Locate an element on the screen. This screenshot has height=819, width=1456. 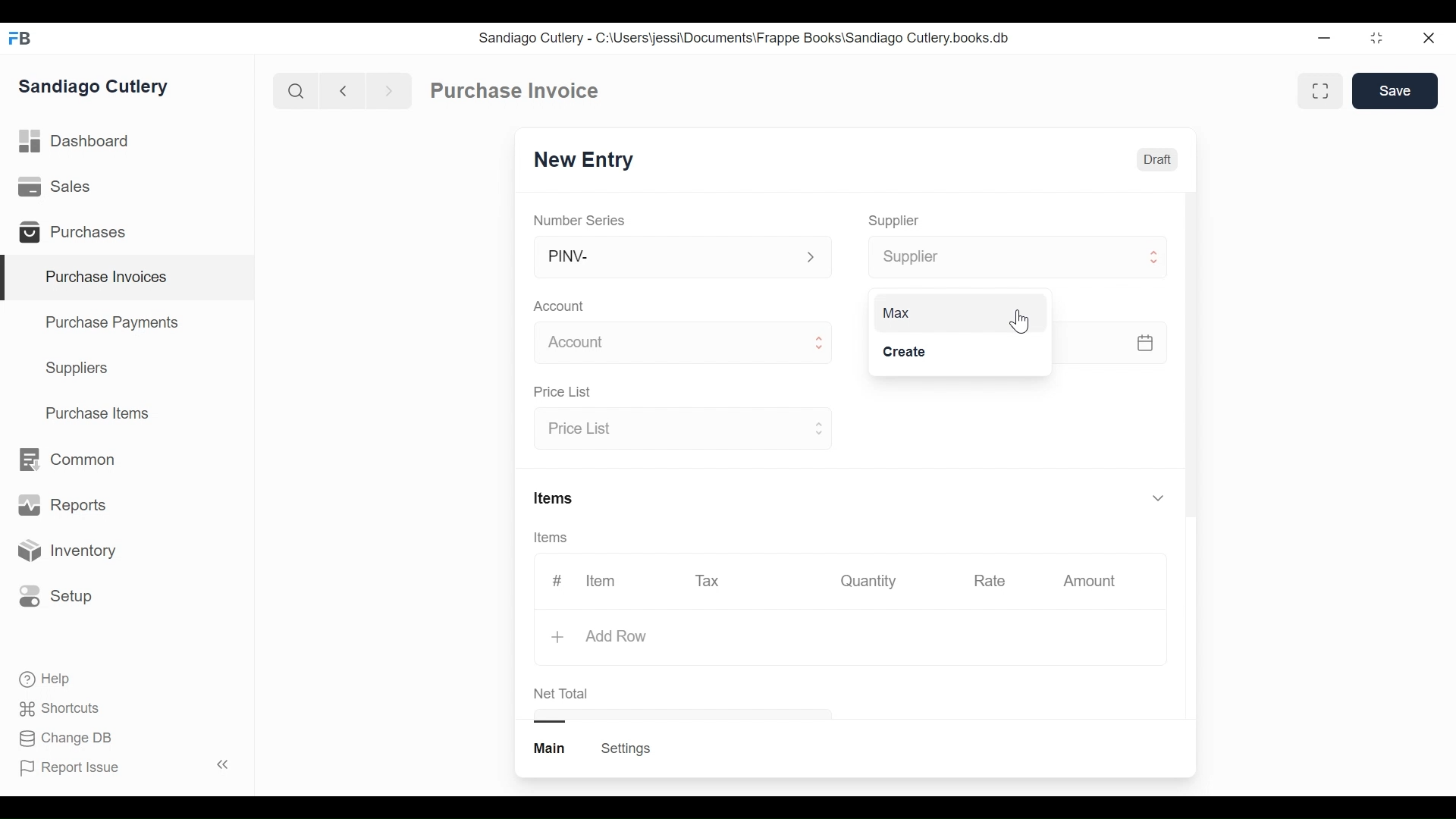
Shortcuts is located at coordinates (61, 708).